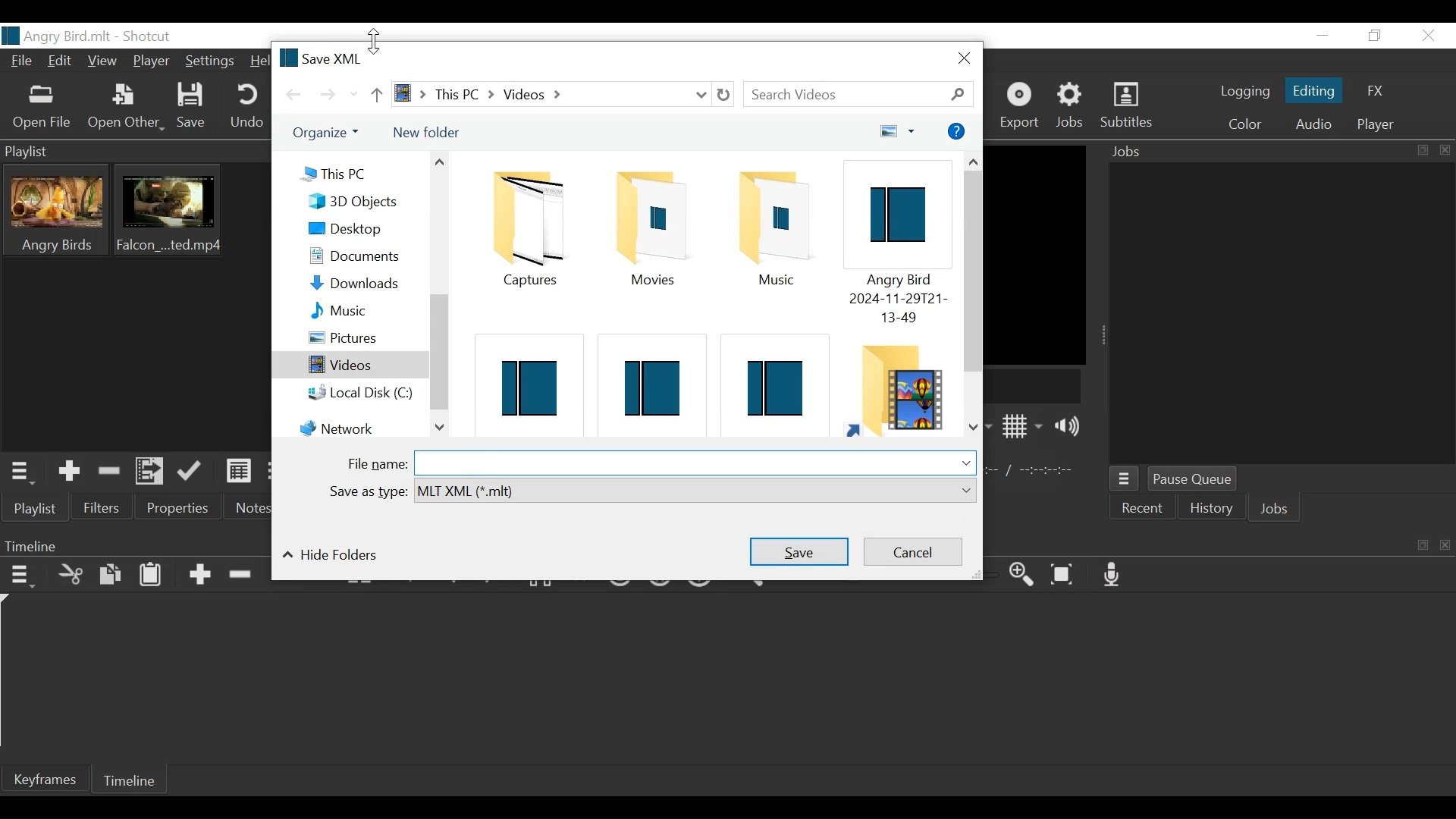 This screenshot has width=1456, height=819. What do you see at coordinates (102, 509) in the screenshot?
I see `Filters` at bounding box center [102, 509].